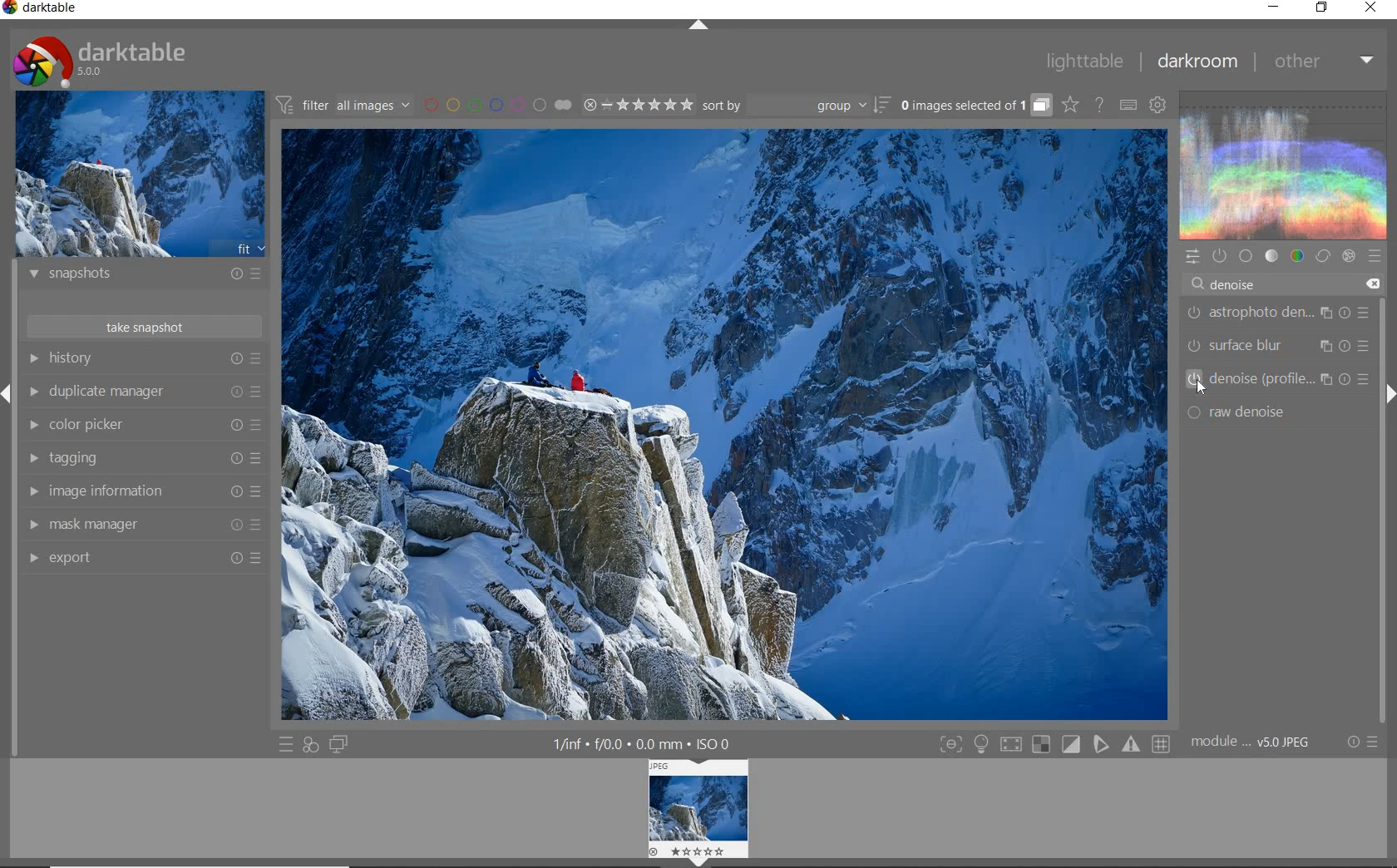 The height and width of the screenshot is (868, 1397). Describe the element at coordinates (1271, 255) in the screenshot. I see `tone` at that location.